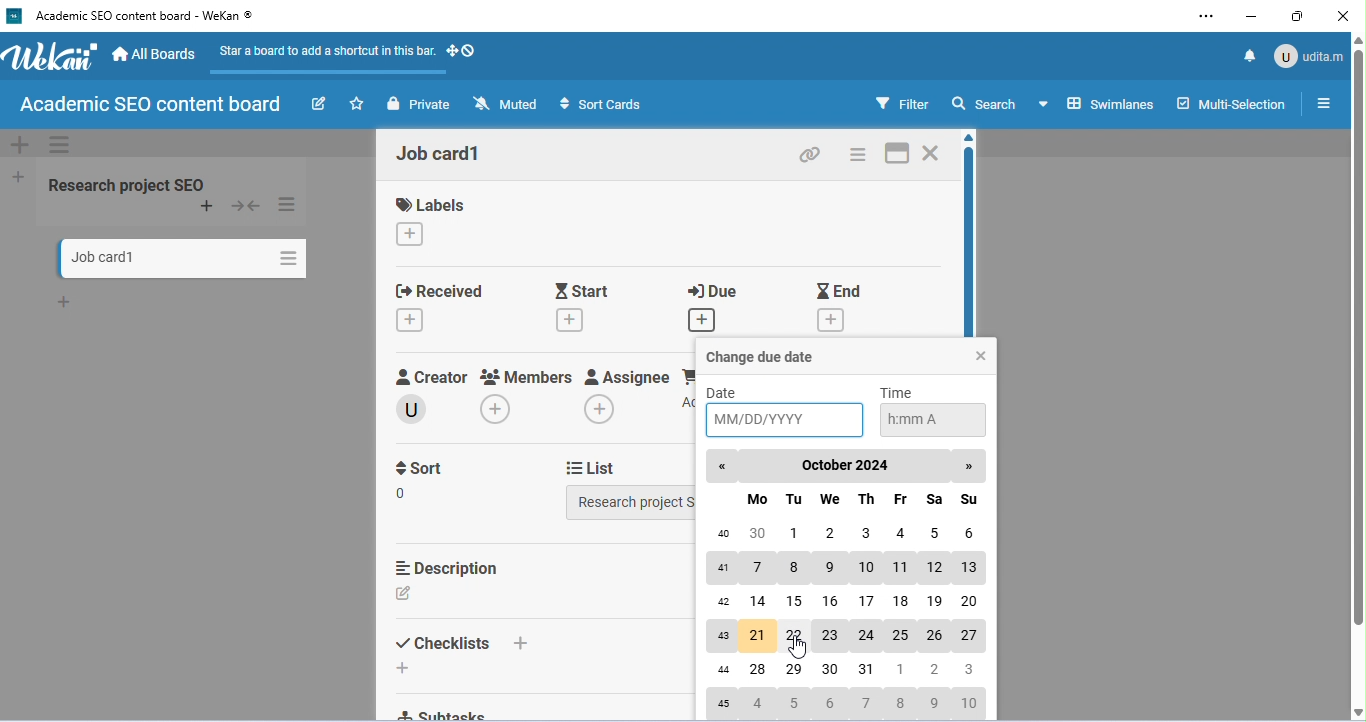  I want to click on minimize, so click(1252, 15).